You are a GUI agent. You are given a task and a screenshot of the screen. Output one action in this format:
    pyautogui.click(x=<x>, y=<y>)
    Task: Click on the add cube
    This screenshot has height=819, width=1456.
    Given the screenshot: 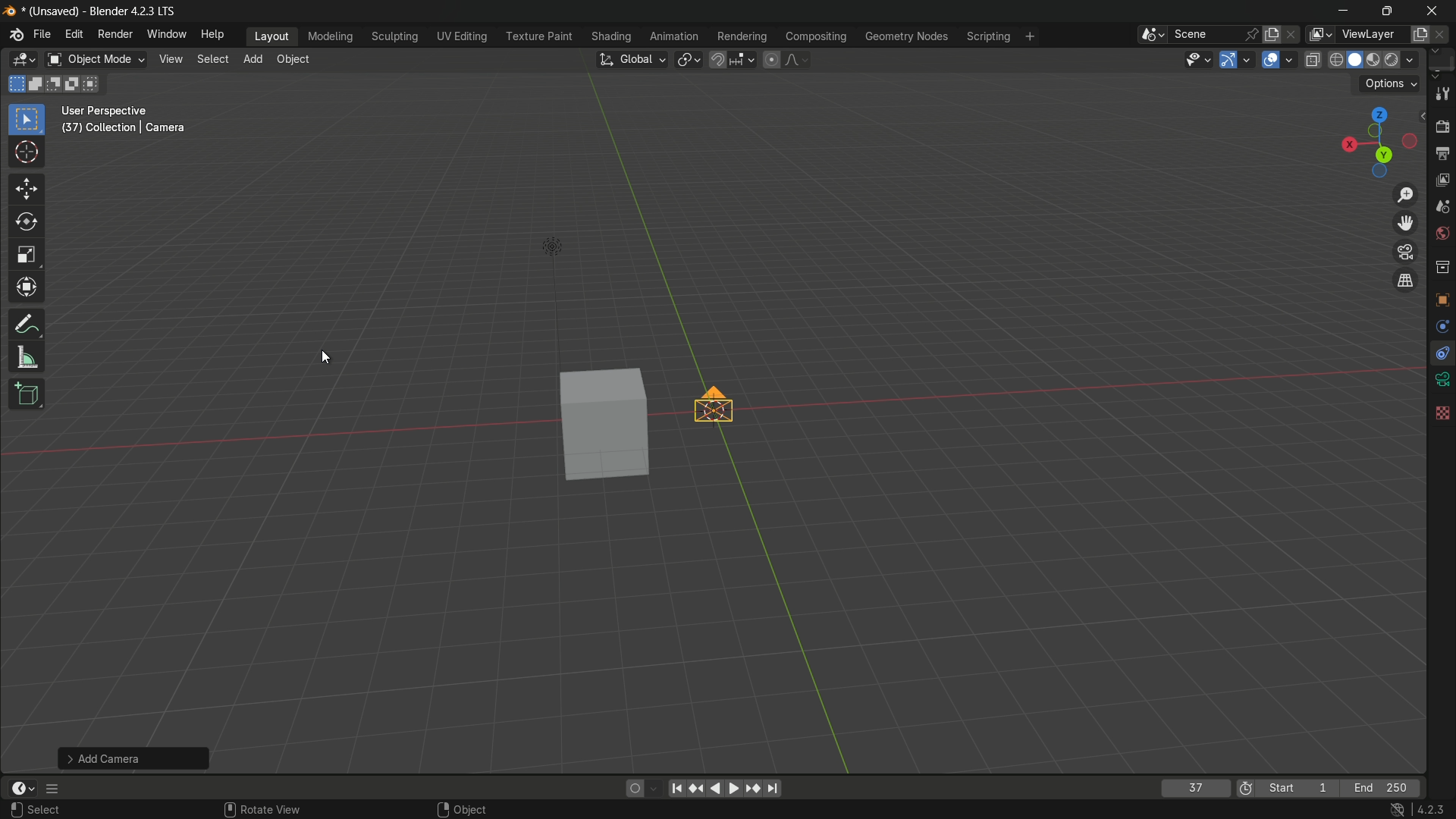 What is the action you would take?
    pyautogui.click(x=27, y=394)
    